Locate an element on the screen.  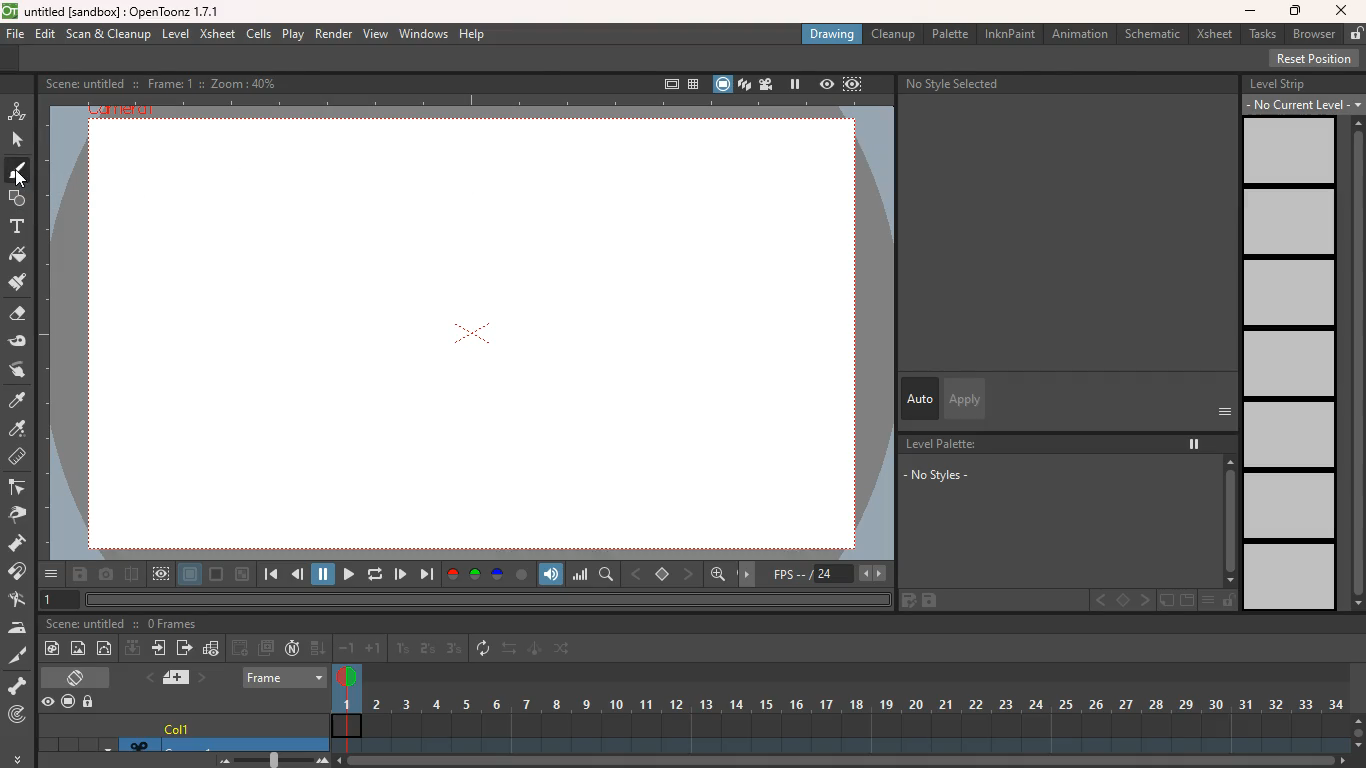
front is located at coordinates (1147, 600).